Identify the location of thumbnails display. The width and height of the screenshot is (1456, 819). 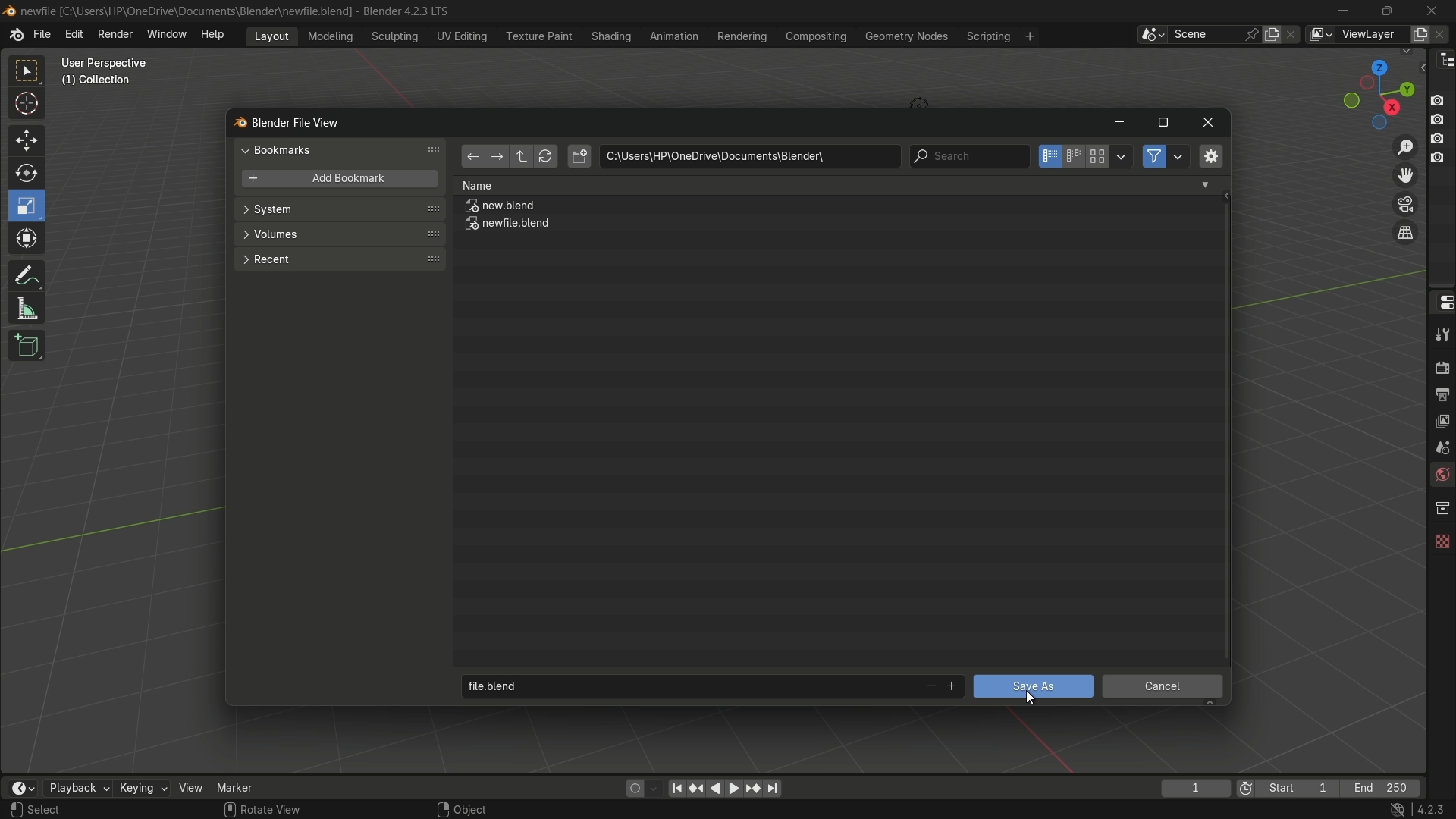
(1098, 157).